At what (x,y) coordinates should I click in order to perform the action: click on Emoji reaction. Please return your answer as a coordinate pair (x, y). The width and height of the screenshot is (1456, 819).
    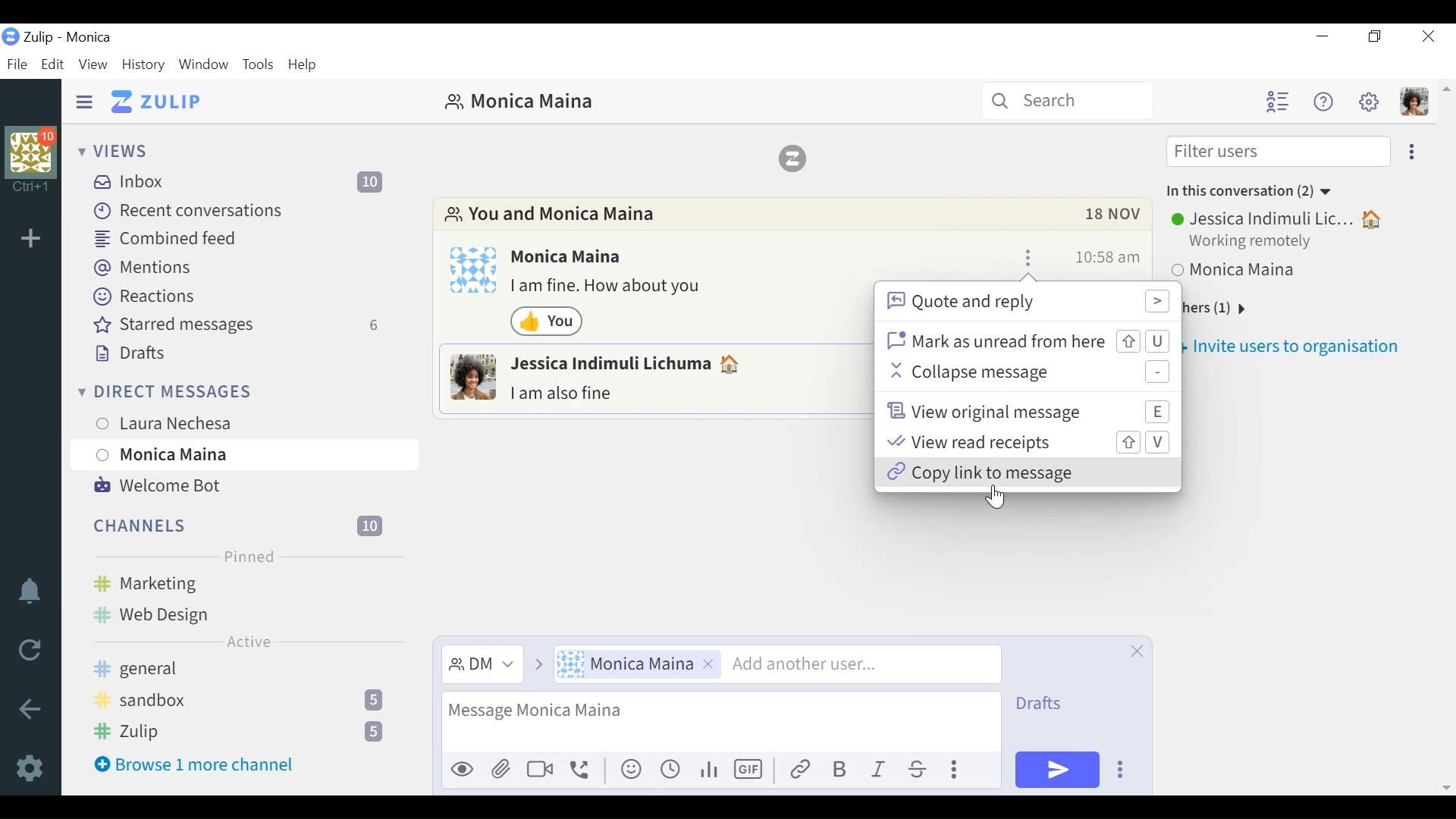
    Looking at the image, I should click on (548, 322).